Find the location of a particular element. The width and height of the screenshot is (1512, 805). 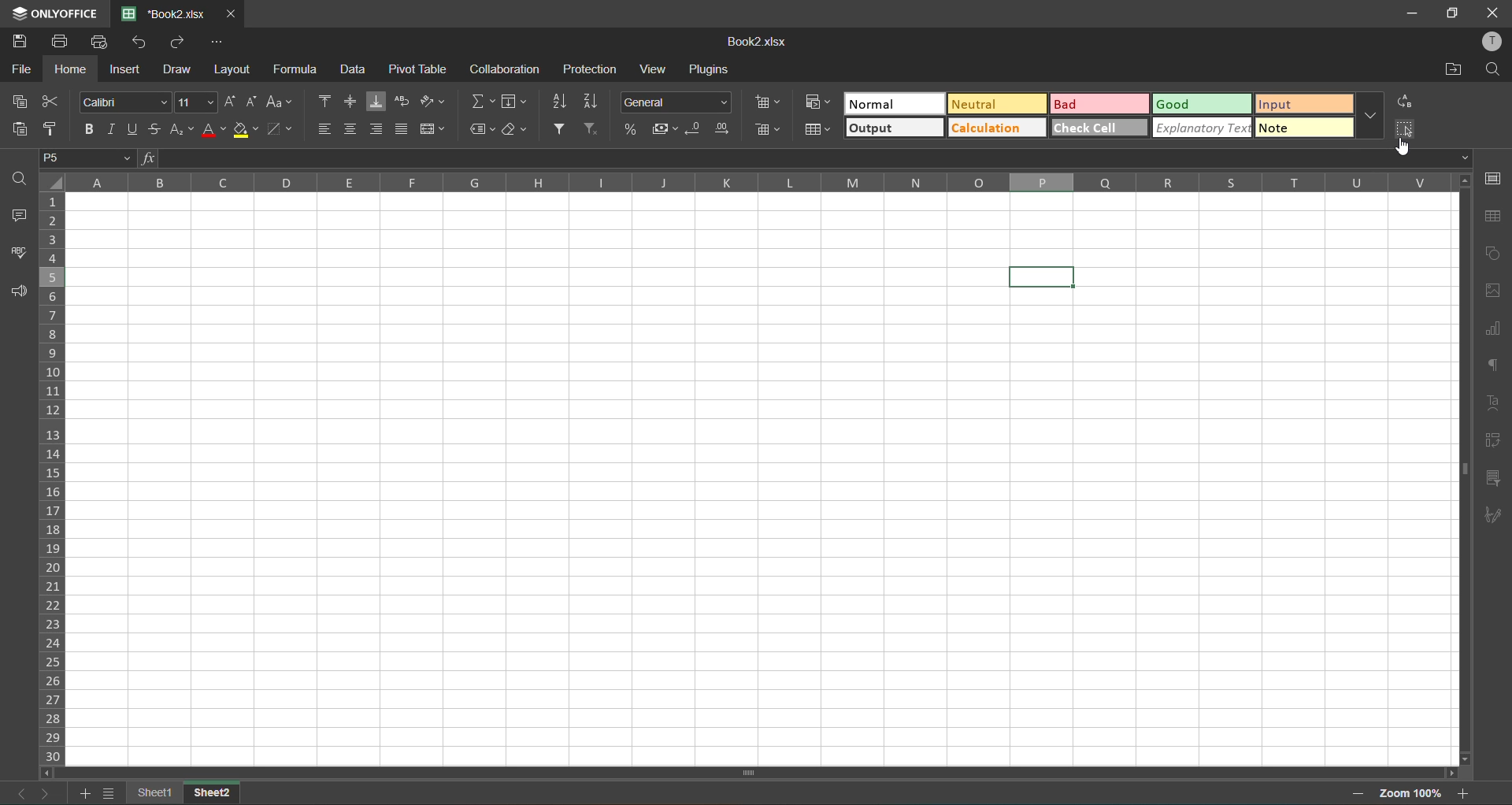

redo is located at coordinates (180, 44).